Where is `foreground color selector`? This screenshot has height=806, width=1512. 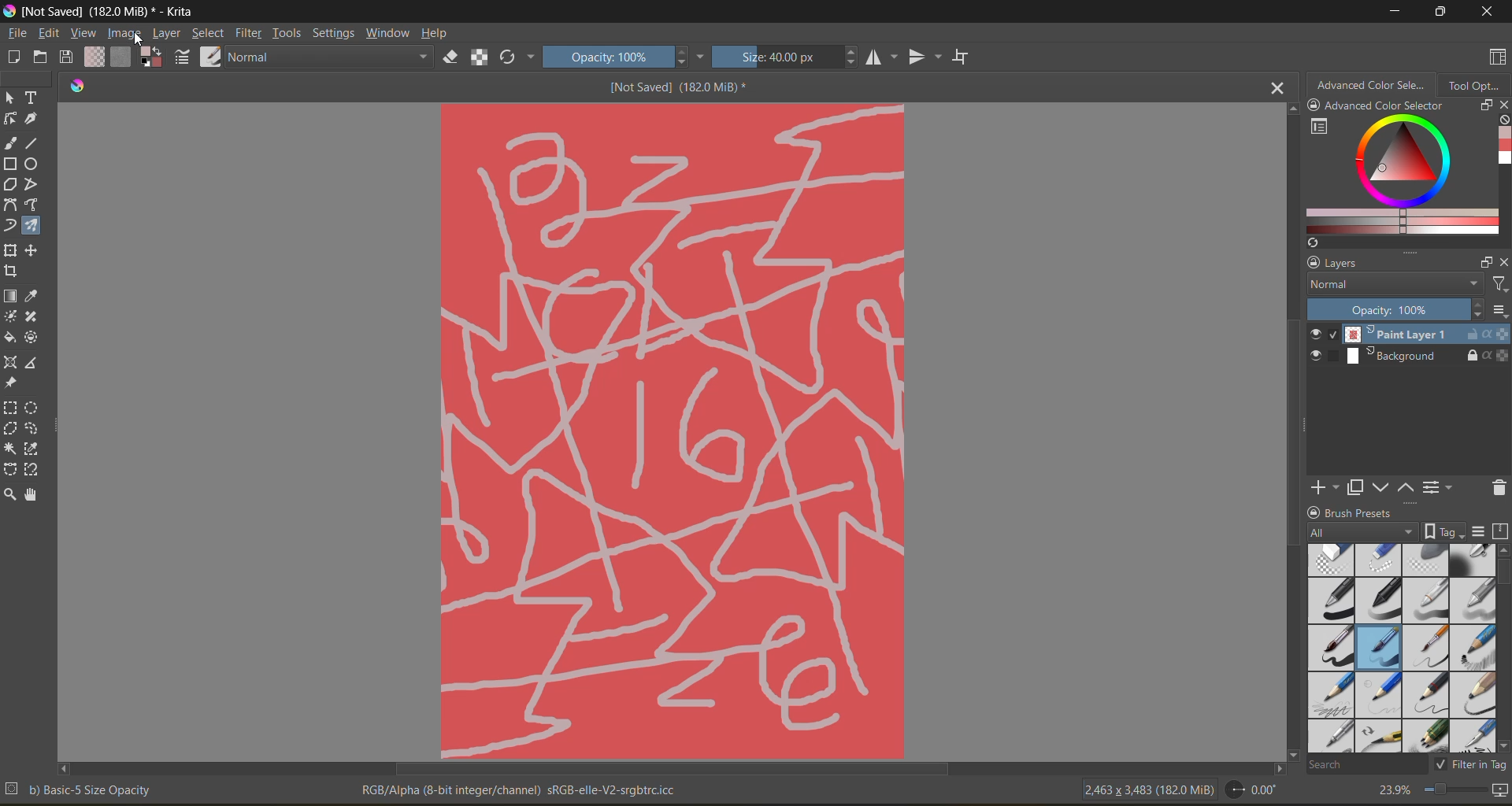 foreground color selector is located at coordinates (151, 57).